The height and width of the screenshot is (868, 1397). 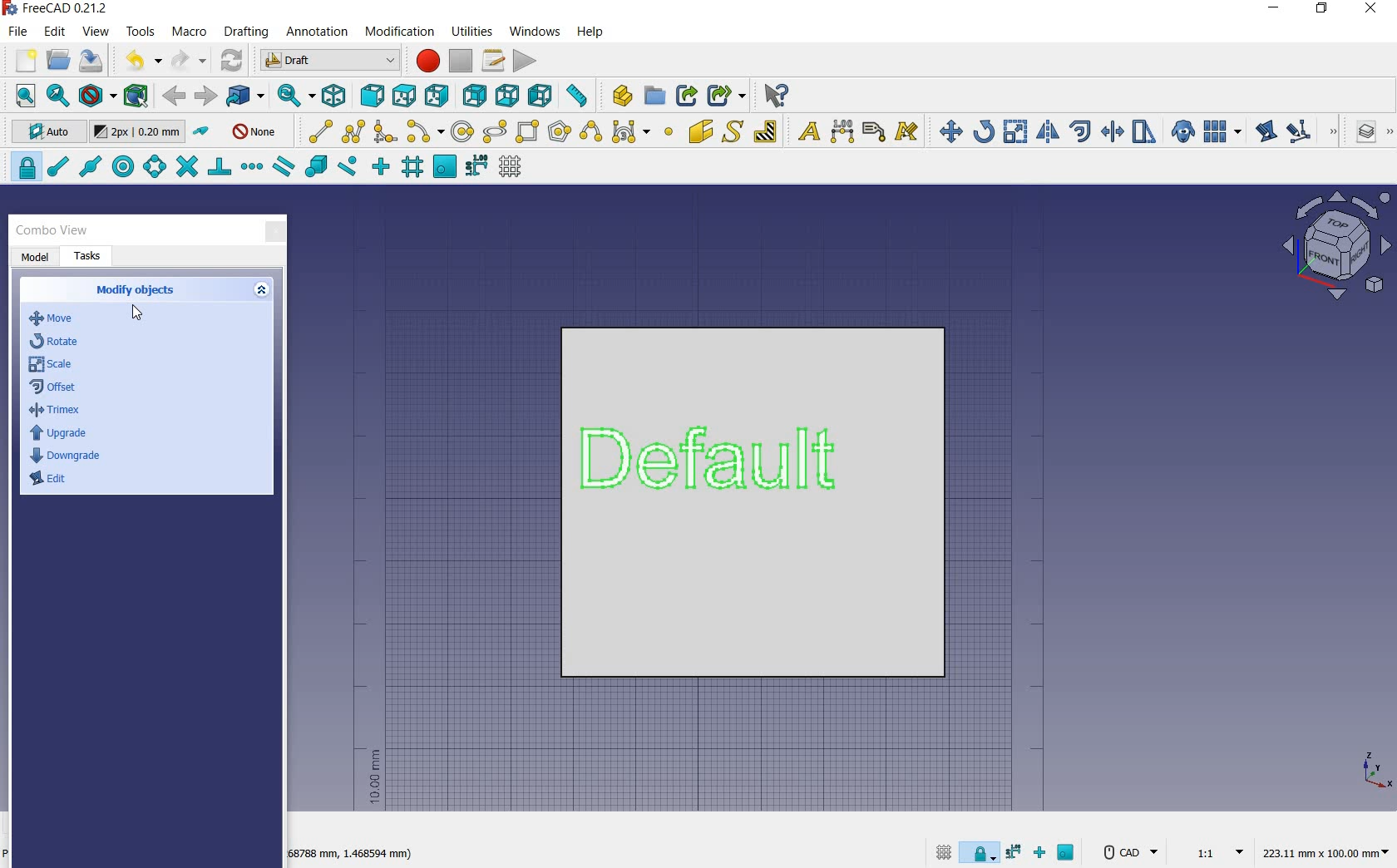 What do you see at coordinates (354, 131) in the screenshot?
I see `polyline` at bounding box center [354, 131].